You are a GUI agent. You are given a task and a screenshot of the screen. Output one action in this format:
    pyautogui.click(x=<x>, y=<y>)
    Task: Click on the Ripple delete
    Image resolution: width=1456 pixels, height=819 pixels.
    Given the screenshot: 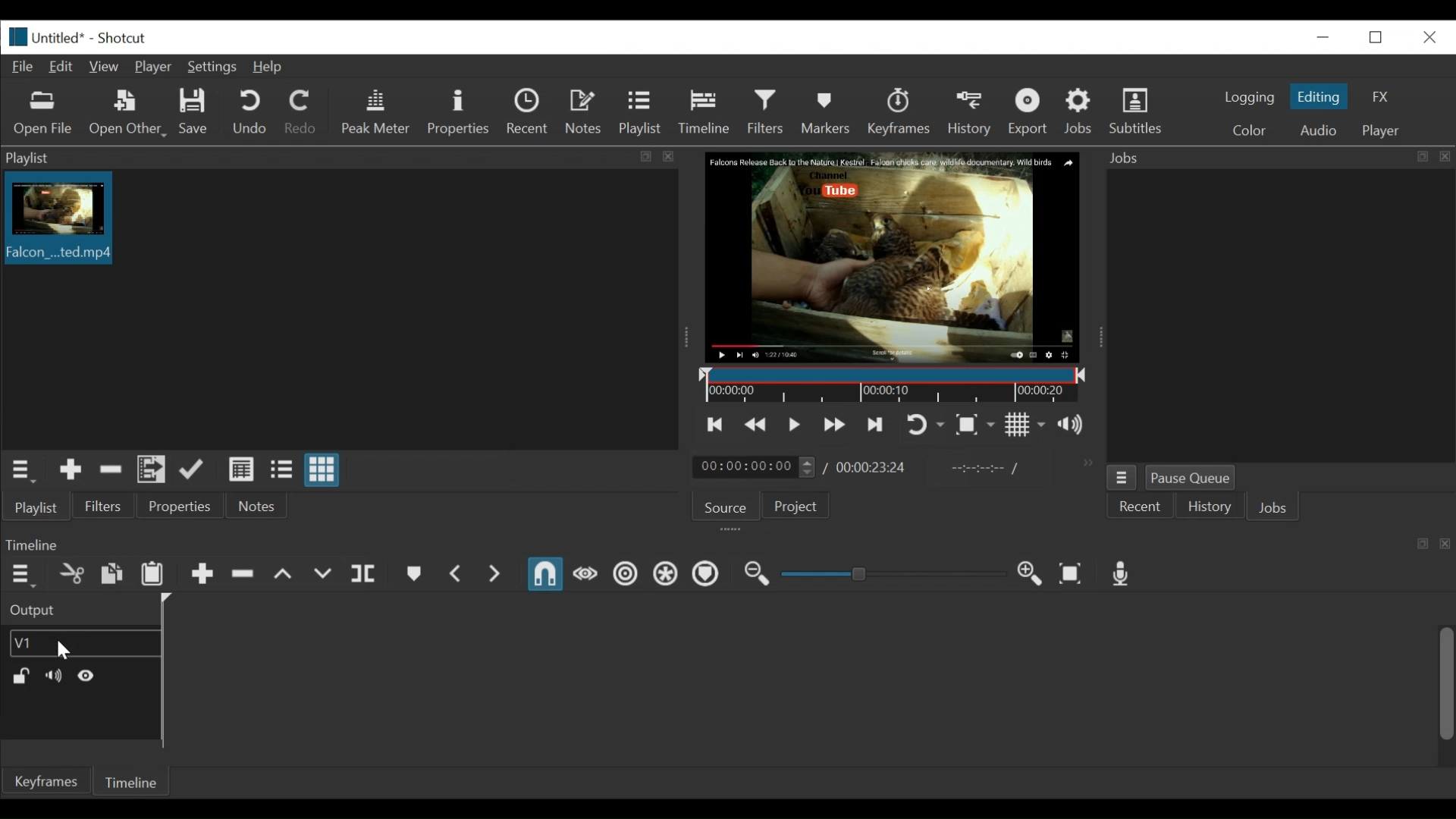 What is the action you would take?
    pyautogui.click(x=243, y=575)
    